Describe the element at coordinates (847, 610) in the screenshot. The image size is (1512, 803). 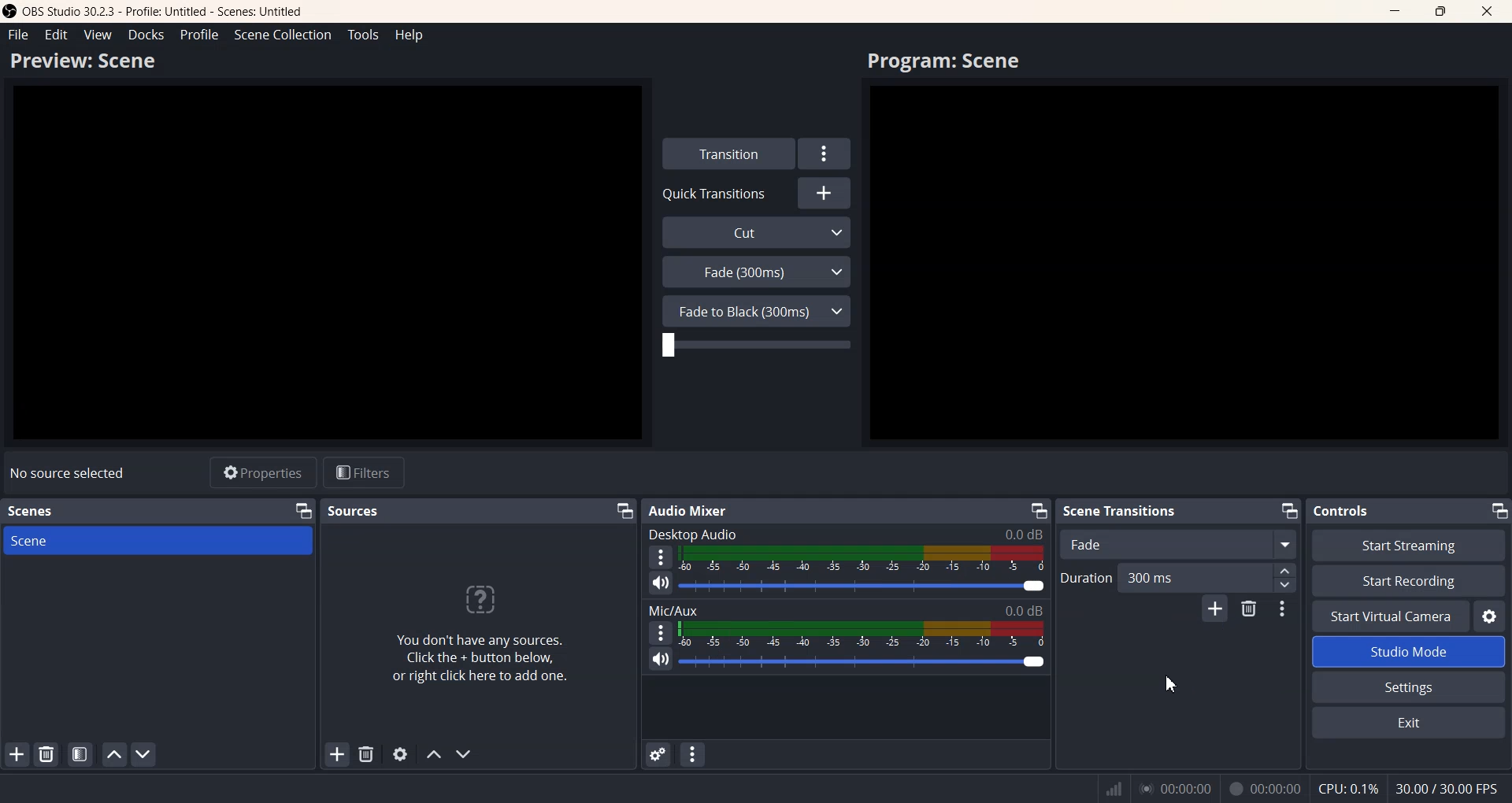
I see `Mic/Aux` at that location.